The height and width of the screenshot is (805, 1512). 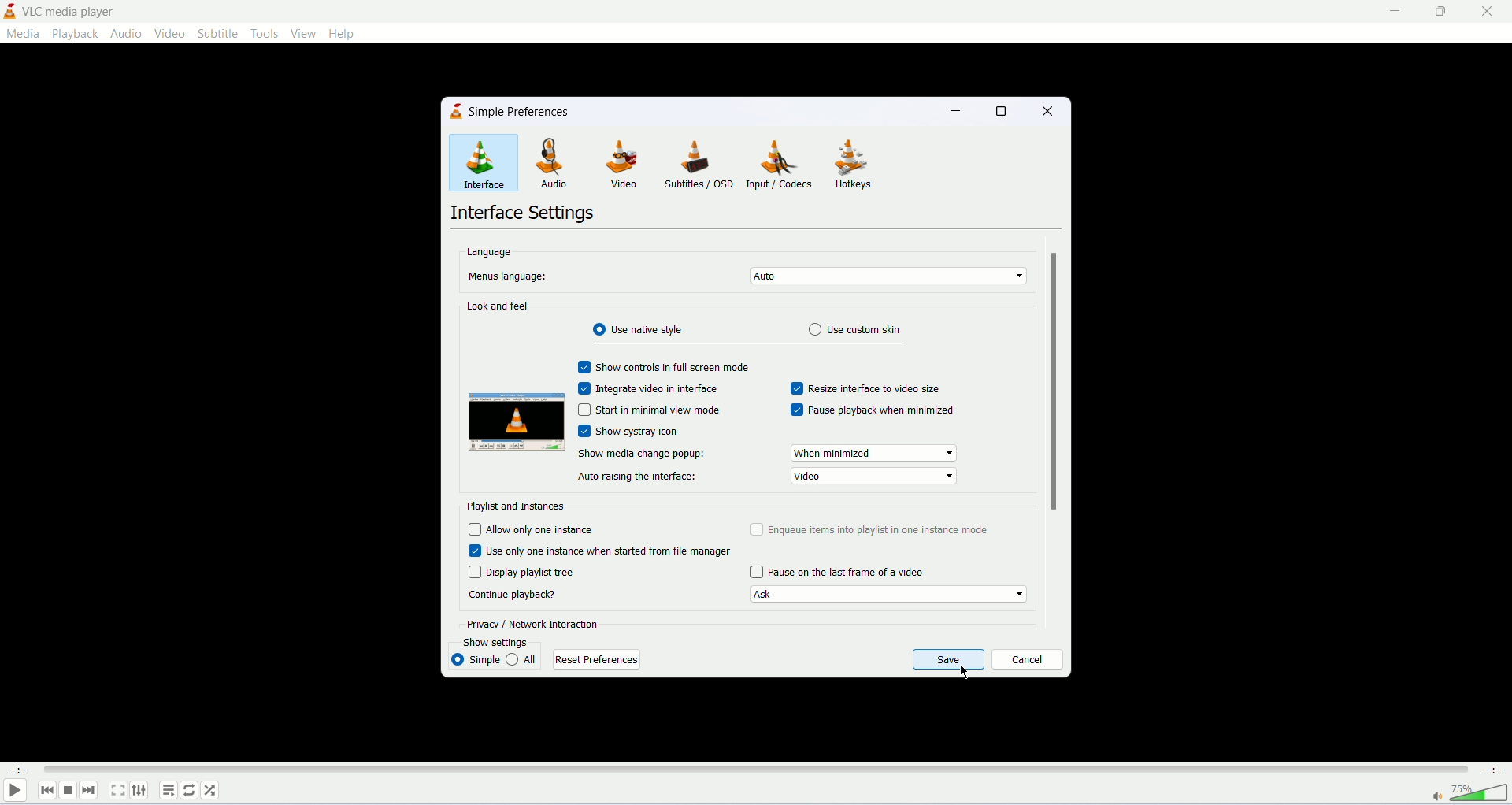 What do you see at coordinates (583, 365) in the screenshot?
I see `check box` at bounding box center [583, 365].